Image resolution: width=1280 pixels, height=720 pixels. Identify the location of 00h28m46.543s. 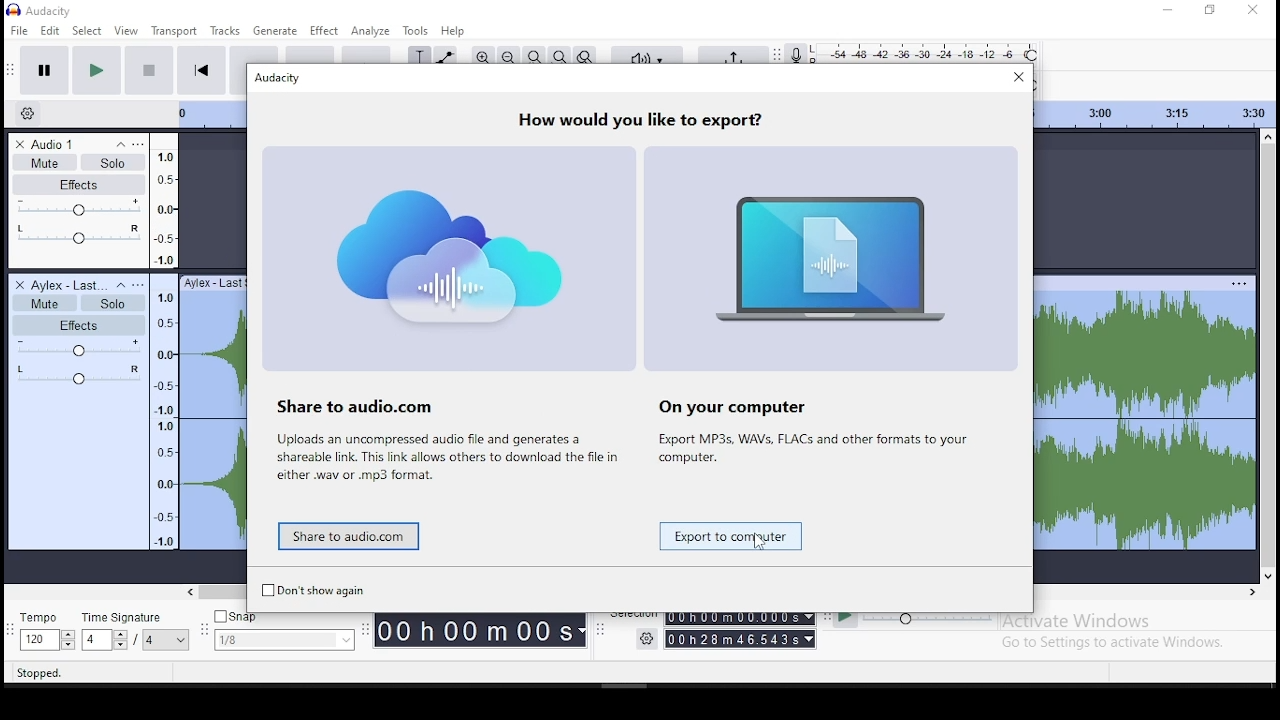
(740, 640).